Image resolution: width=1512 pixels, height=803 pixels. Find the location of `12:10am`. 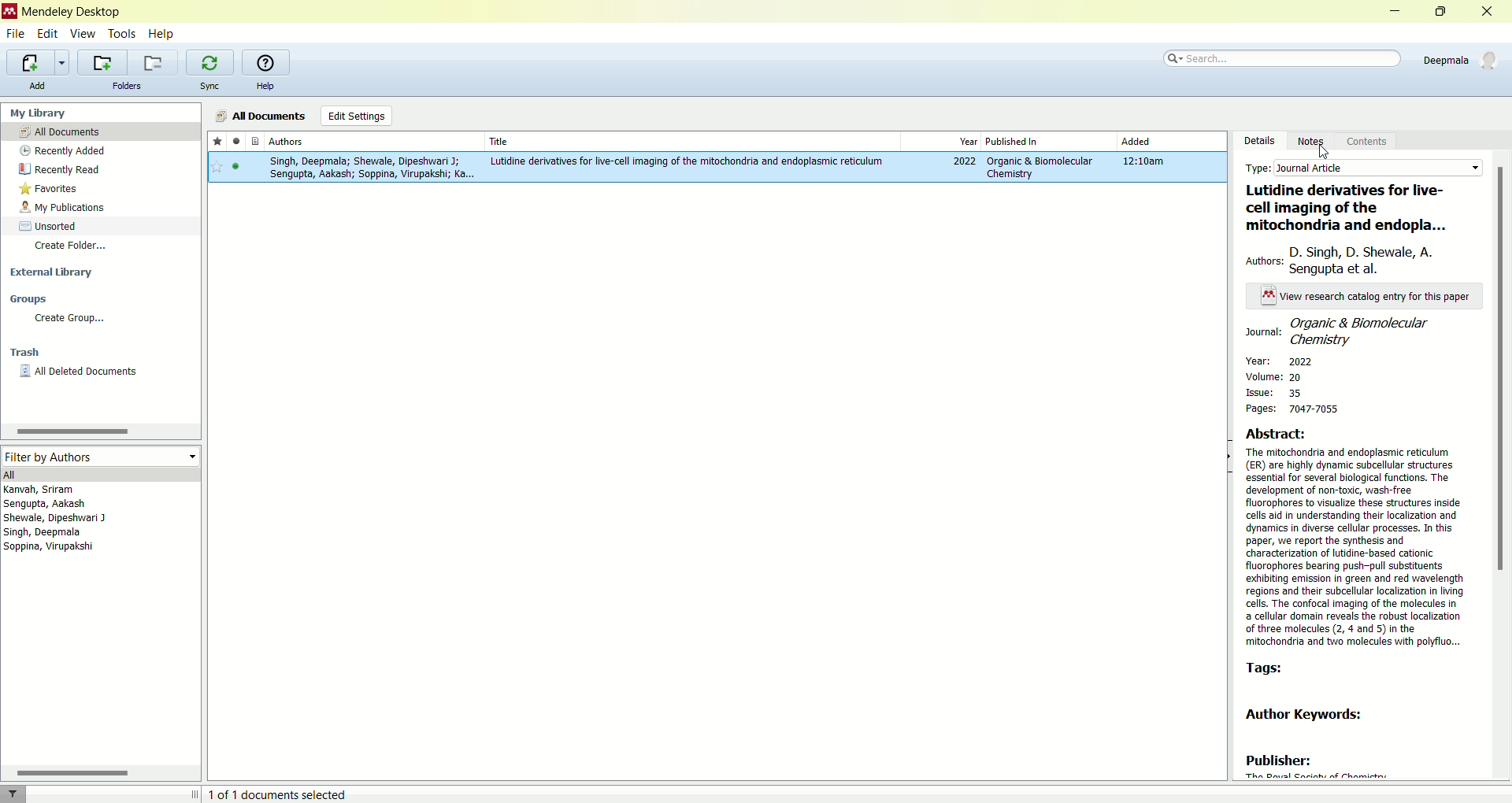

12:10am is located at coordinates (1147, 162).